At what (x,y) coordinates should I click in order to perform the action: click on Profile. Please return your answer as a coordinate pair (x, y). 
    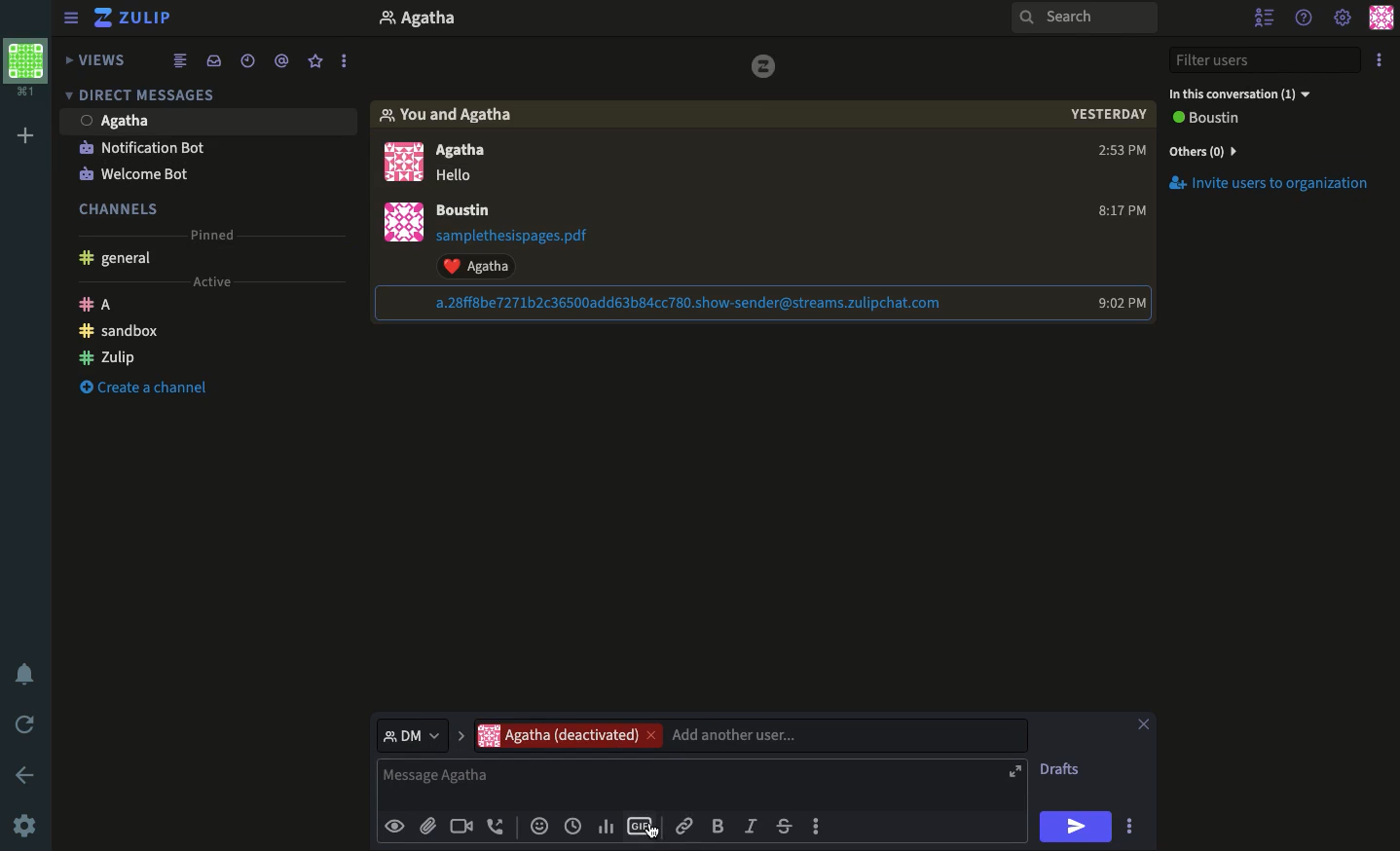
    Looking at the image, I should click on (1380, 19).